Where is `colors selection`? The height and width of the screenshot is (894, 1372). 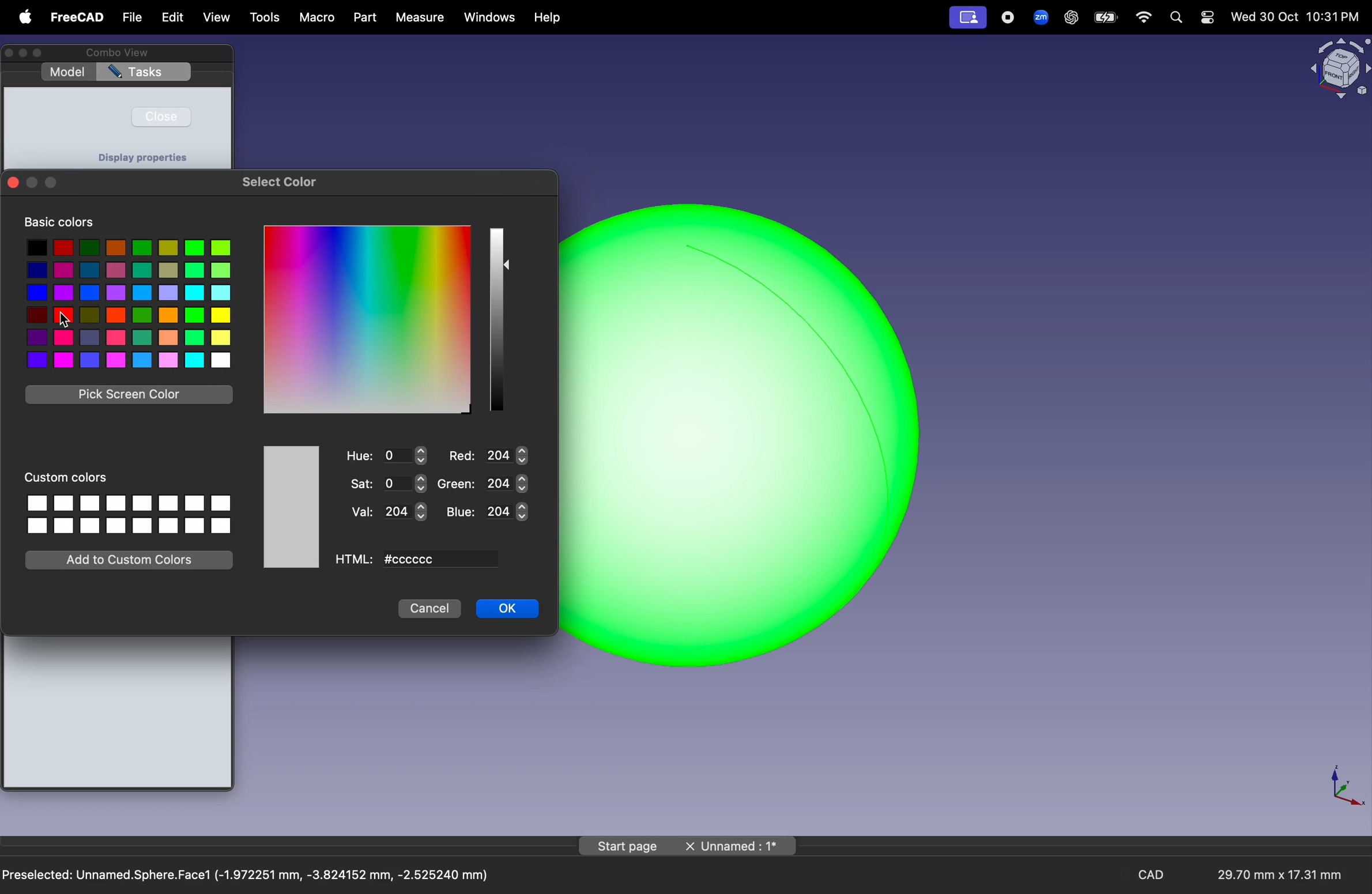
colors selection is located at coordinates (127, 303).